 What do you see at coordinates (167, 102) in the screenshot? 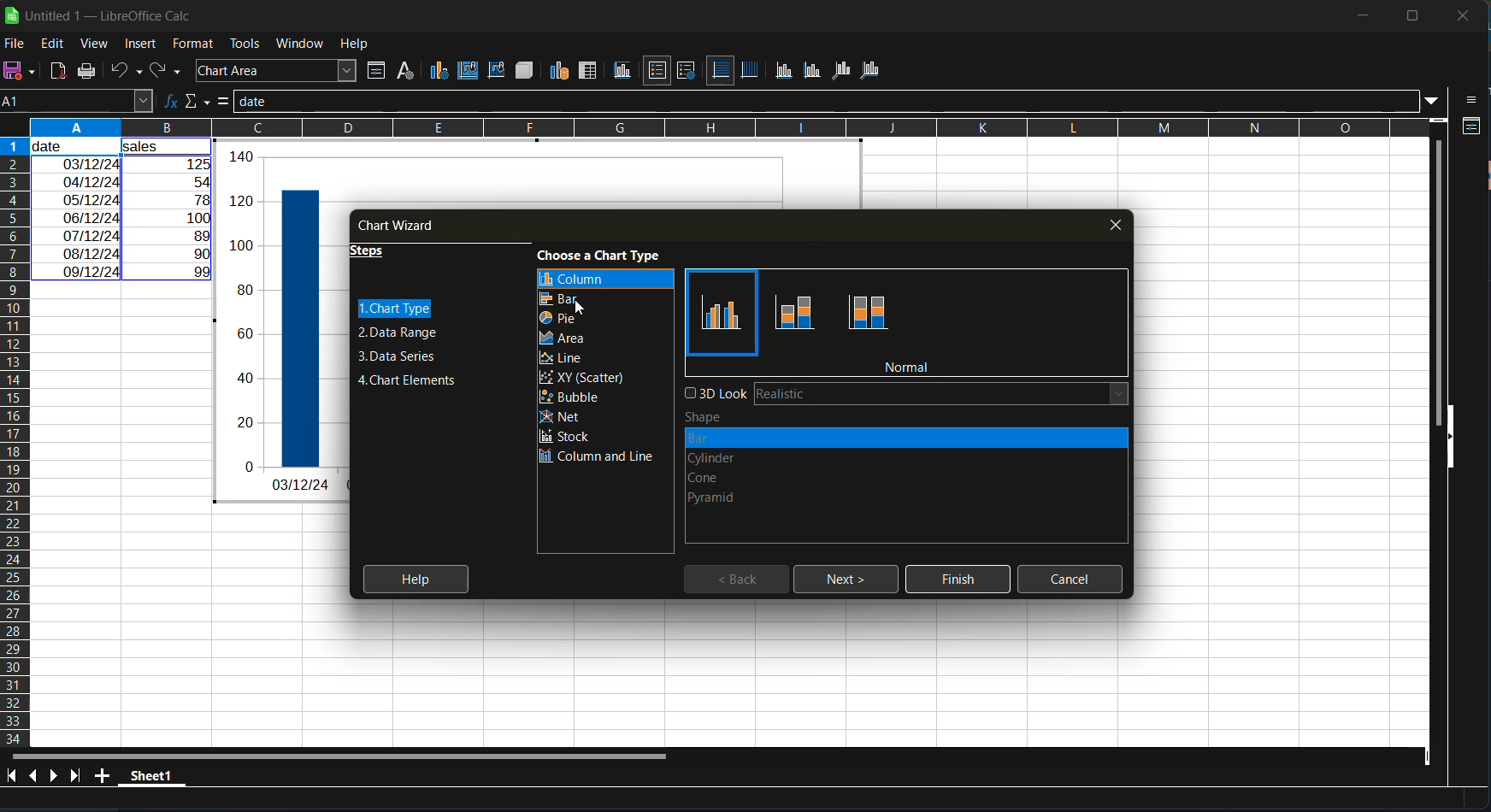
I see `function wizard` at bounding box center [167, 102].